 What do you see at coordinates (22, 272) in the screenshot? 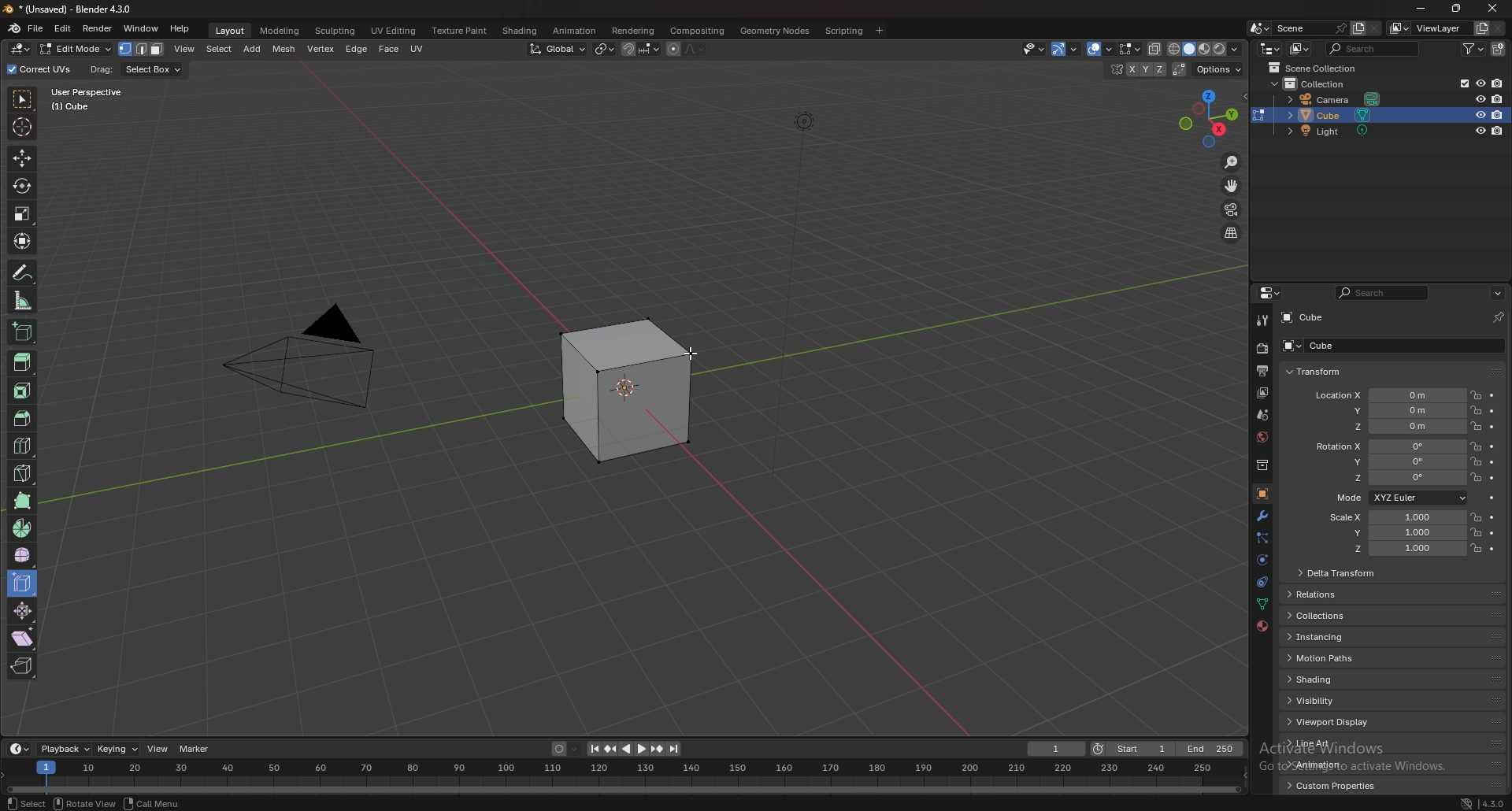
I see `annotate` at bounding box center [22, 272].